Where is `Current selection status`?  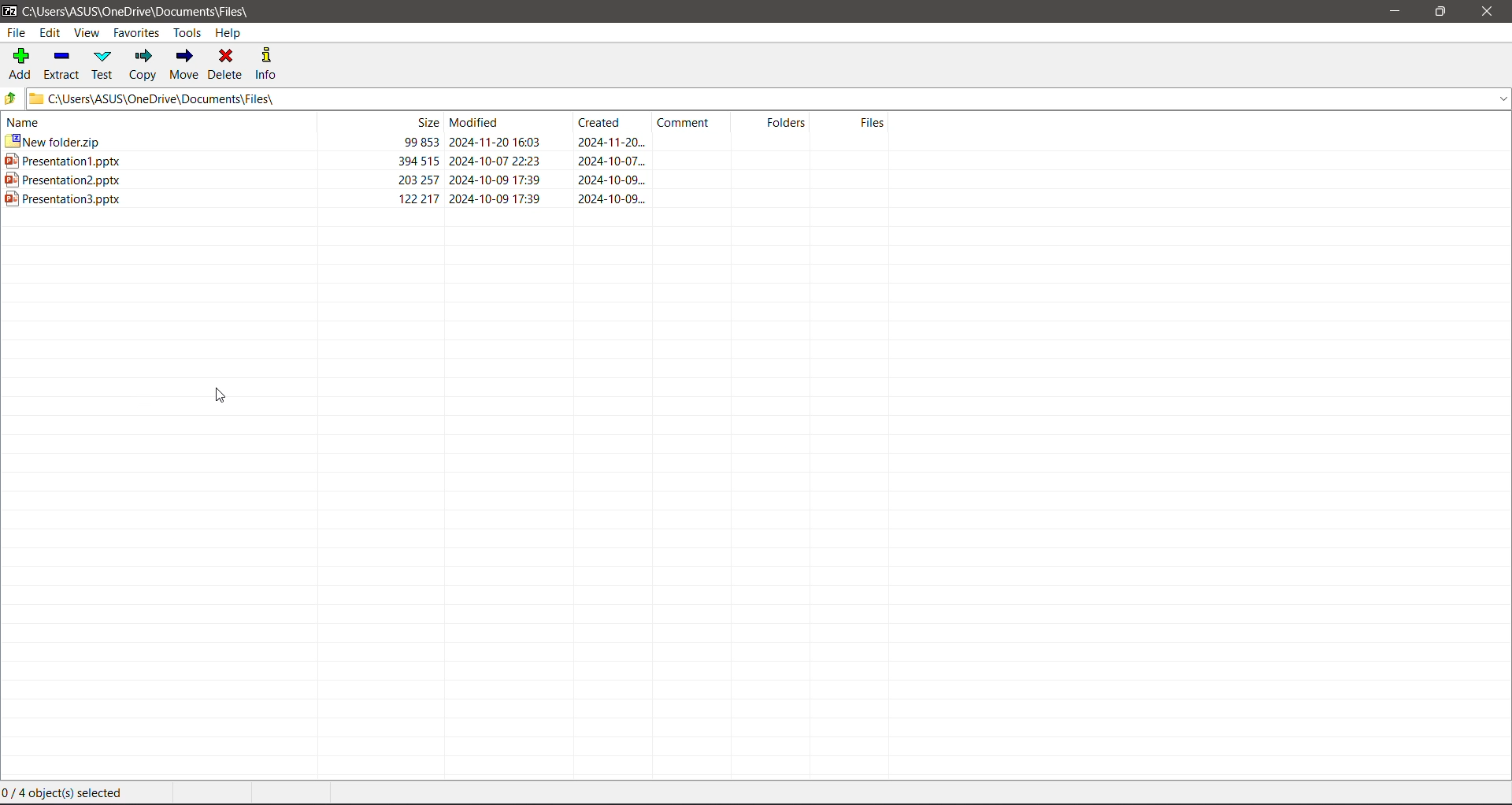
Current selection status is located at coordinates (65, 793).